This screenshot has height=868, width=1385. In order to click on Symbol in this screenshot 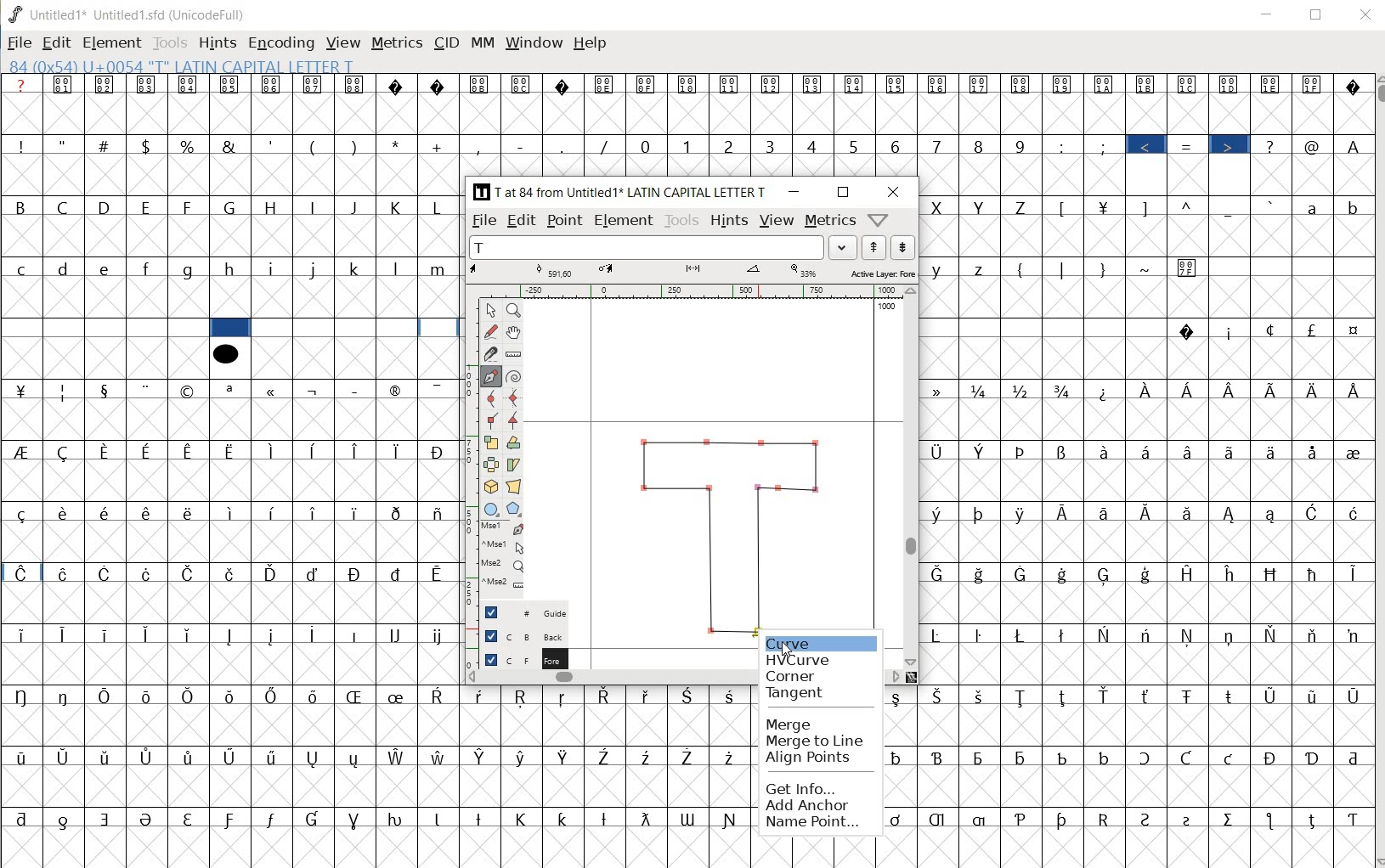, I will do `click(1189, 84)`.